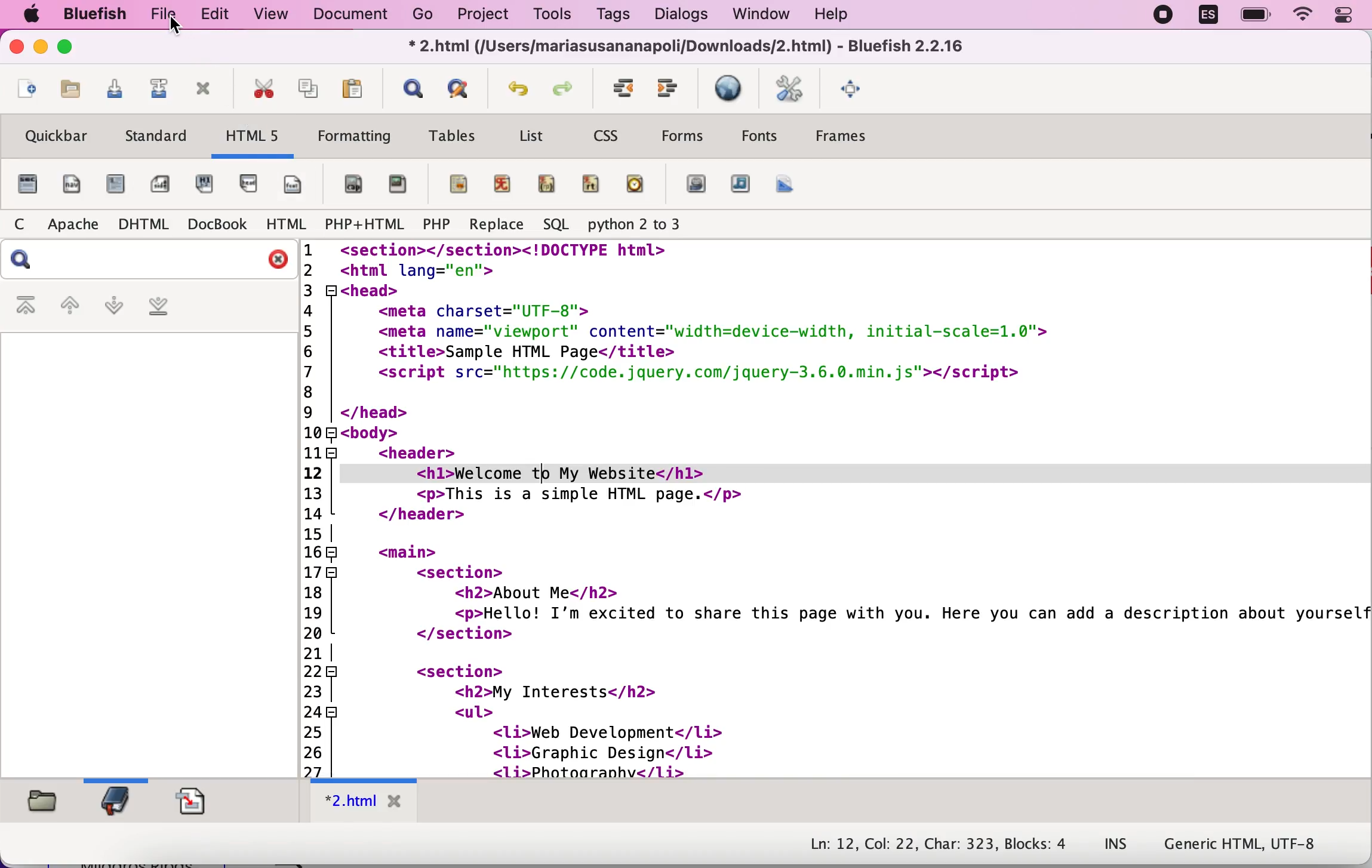 The image size is (1372, 868). I want to click on panel control, so click(1348, 17).